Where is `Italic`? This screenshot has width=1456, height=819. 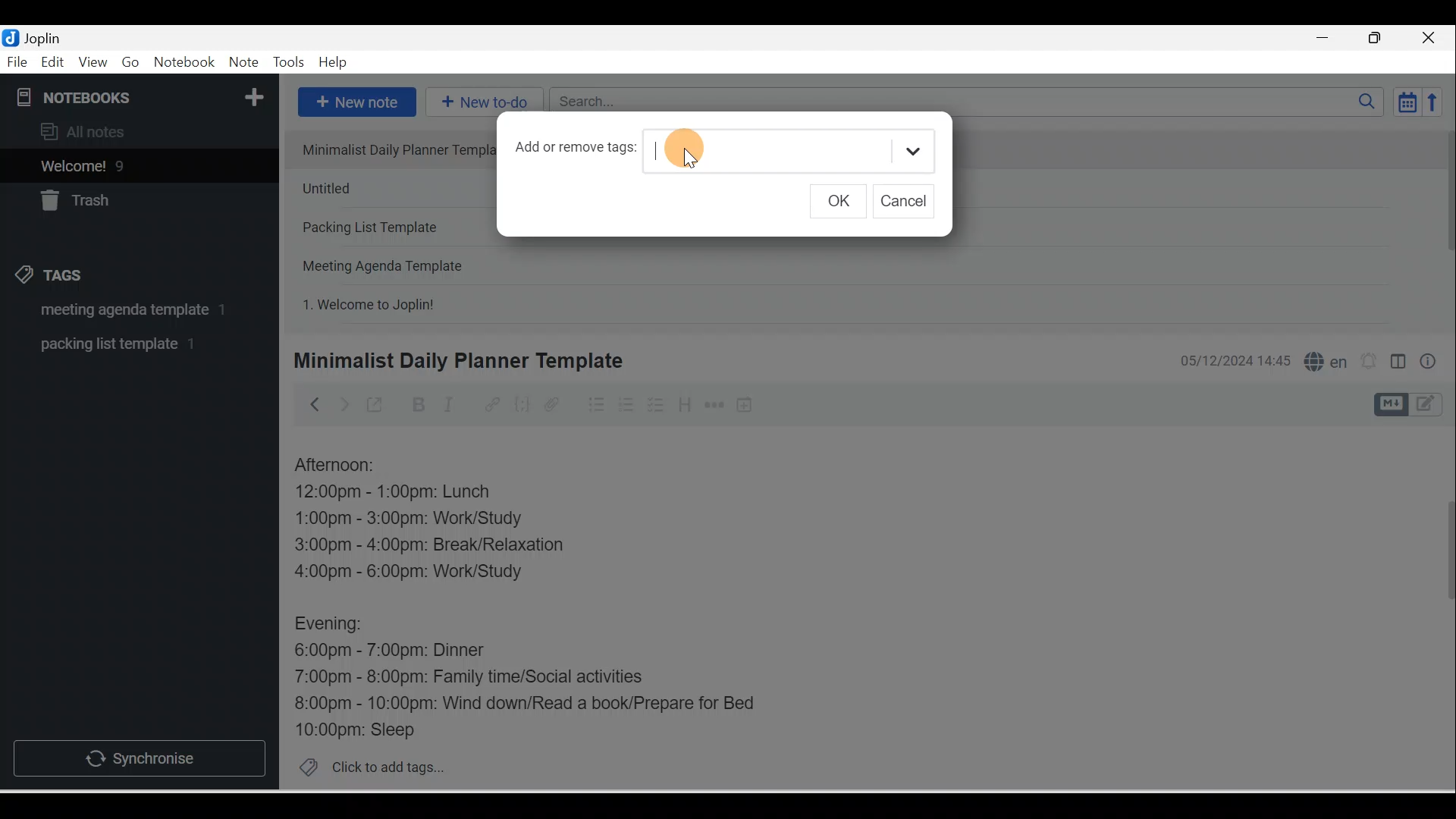 Italic is located at coordinates (451, 407).